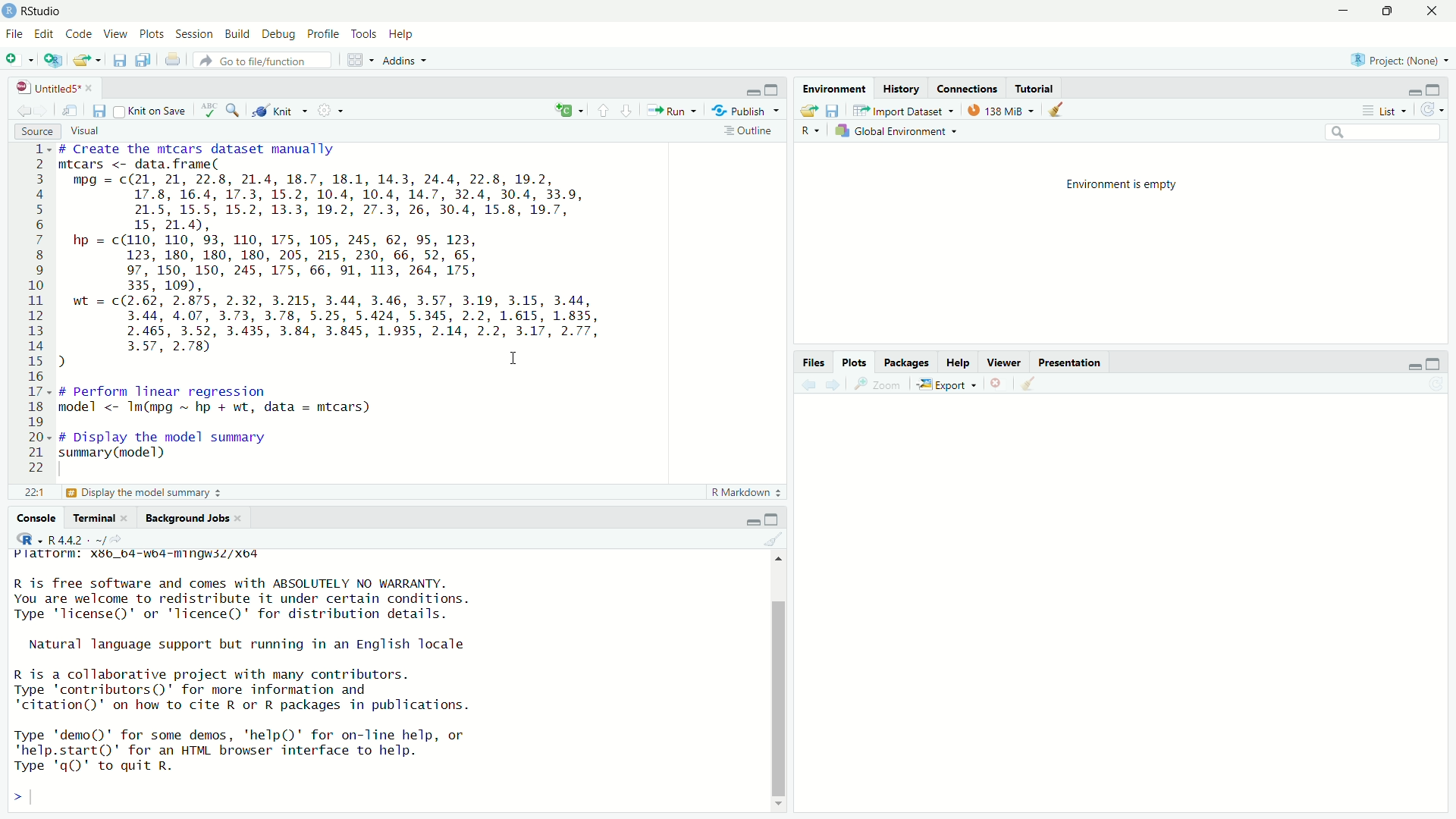  What do you see at coordinates (744, 493) in the screenshot?
I see `R Markdown` at bounding box center [744, 493].